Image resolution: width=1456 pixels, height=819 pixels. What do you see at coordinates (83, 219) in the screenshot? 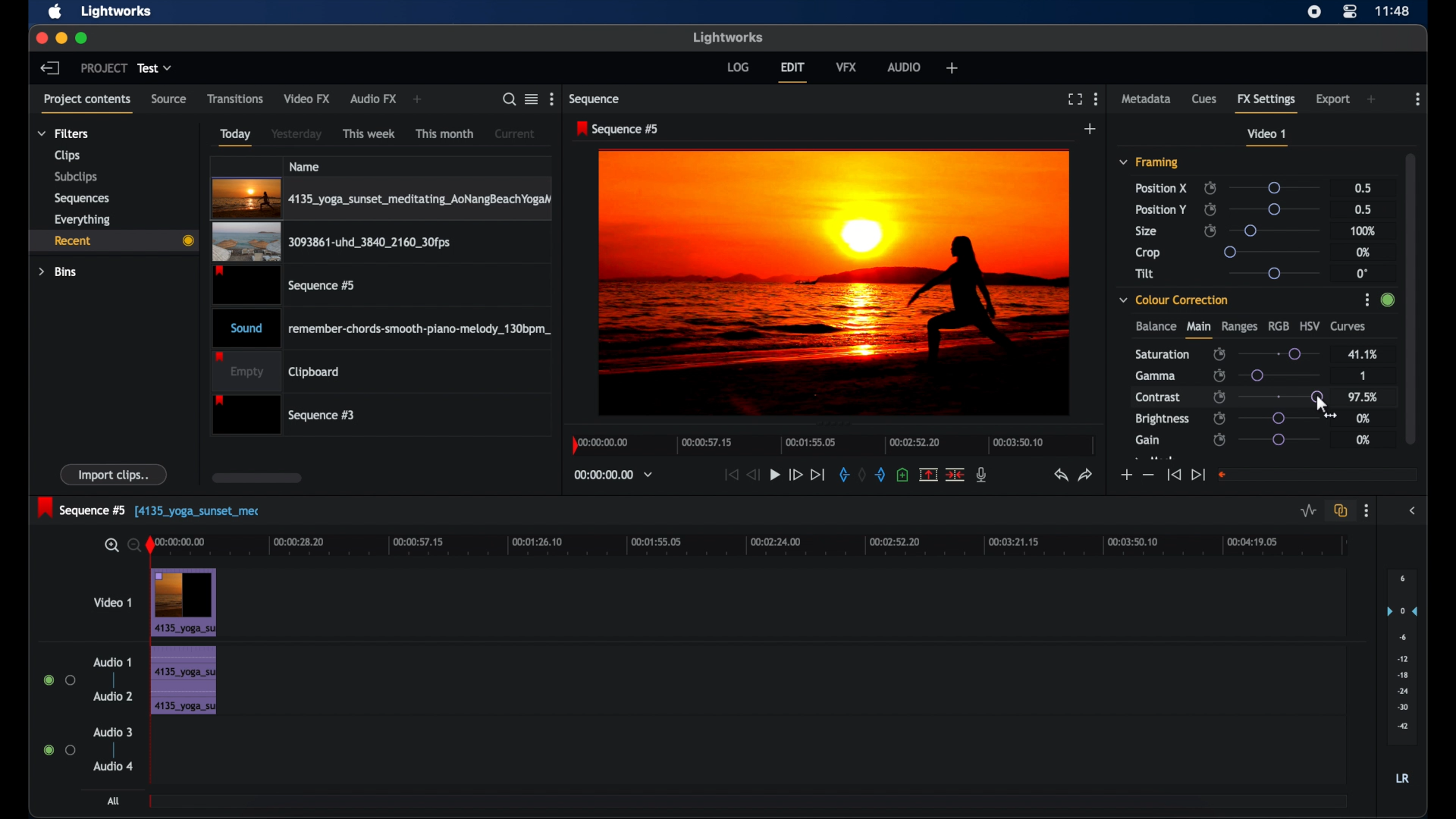
I see `everything` at bounding box center [83, 219].